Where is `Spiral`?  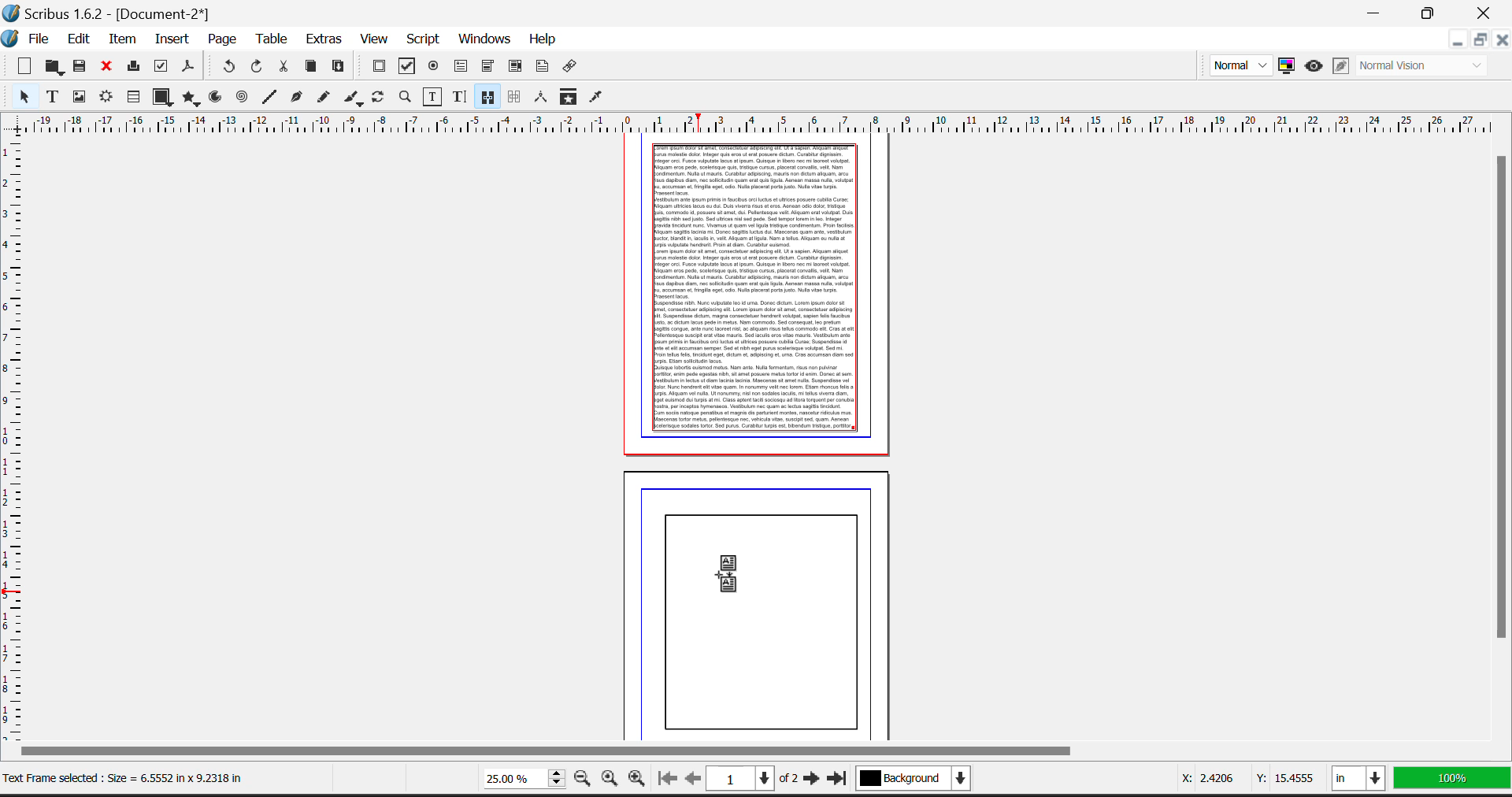 Spiral is located at coordinates (243, 98).